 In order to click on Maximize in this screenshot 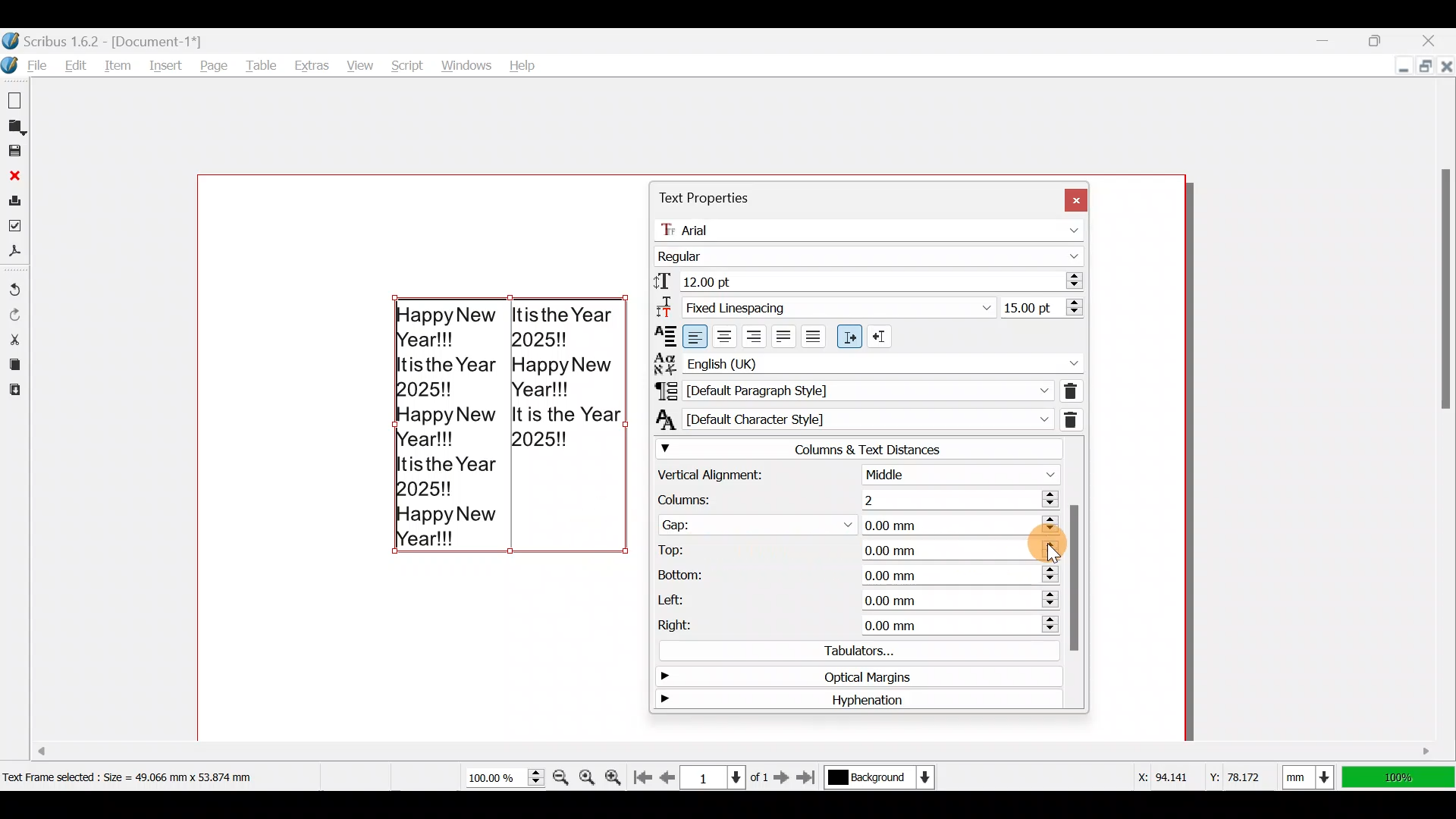, I will do `click(1423, 64)`.